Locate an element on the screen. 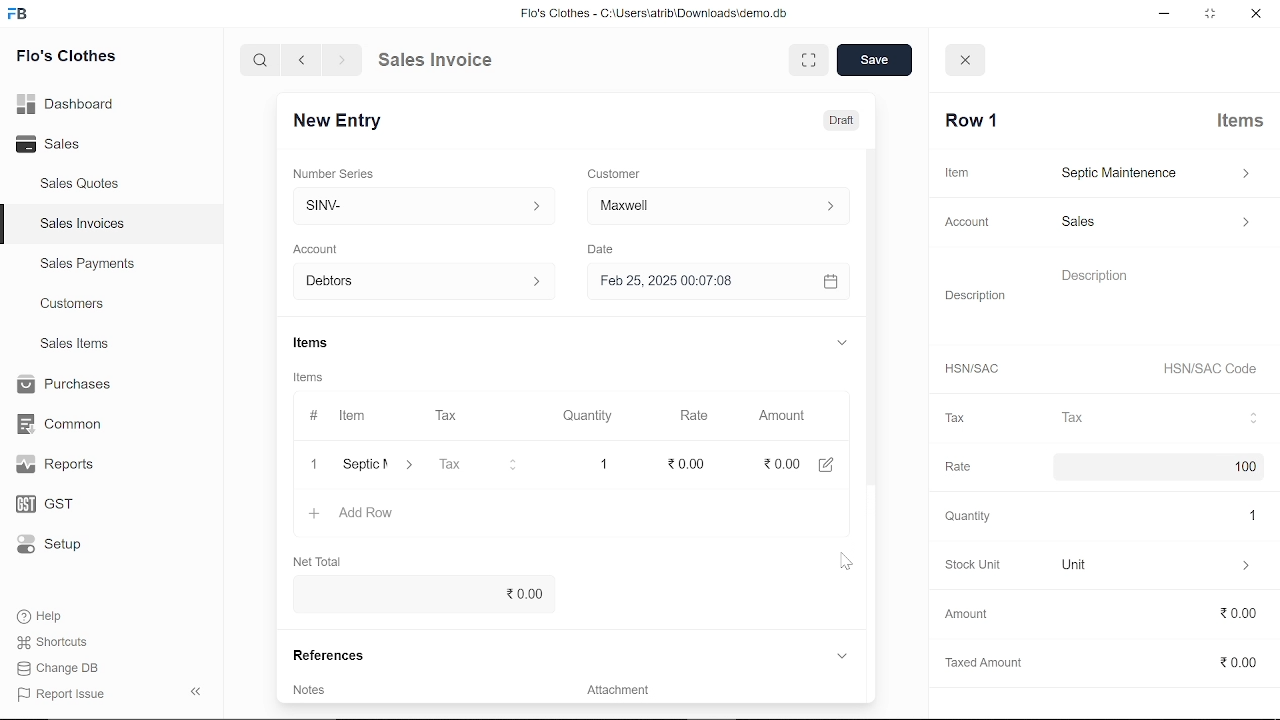 The image size is (1280, 720). restore down is located at coordinates (1207, 13).